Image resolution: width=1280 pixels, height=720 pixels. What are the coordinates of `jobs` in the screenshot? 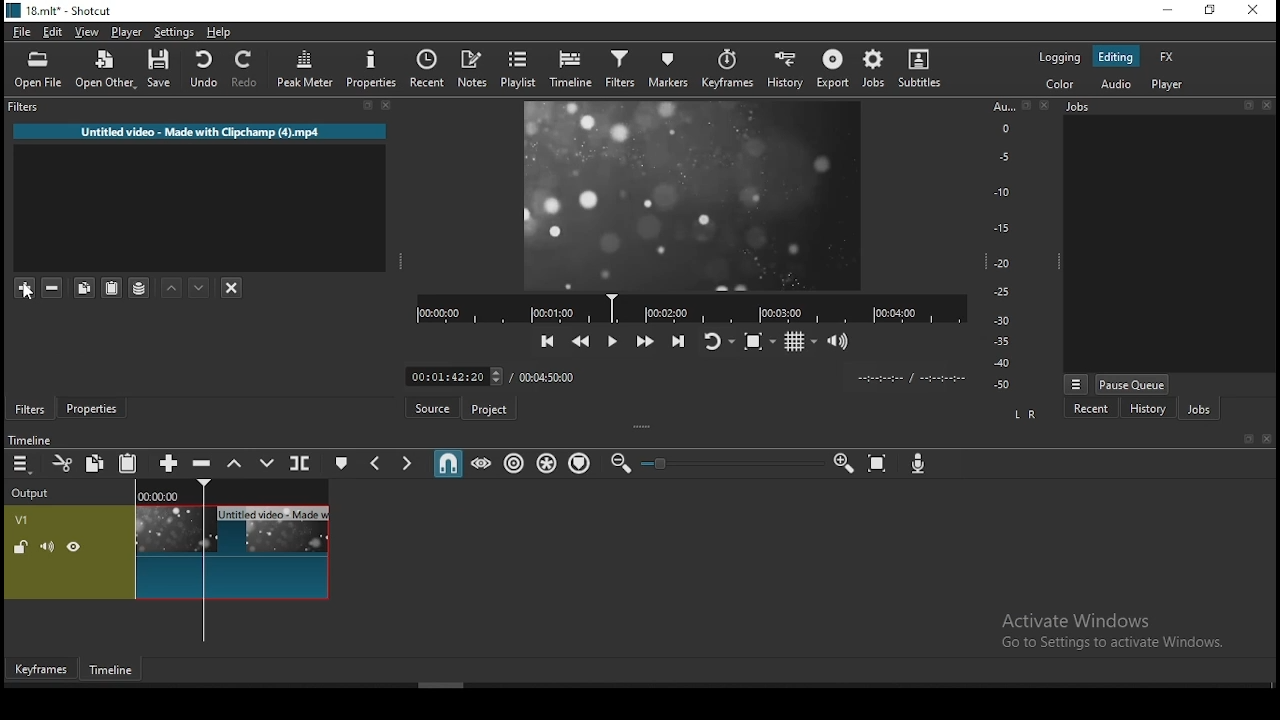 It's located at (1198, 408).